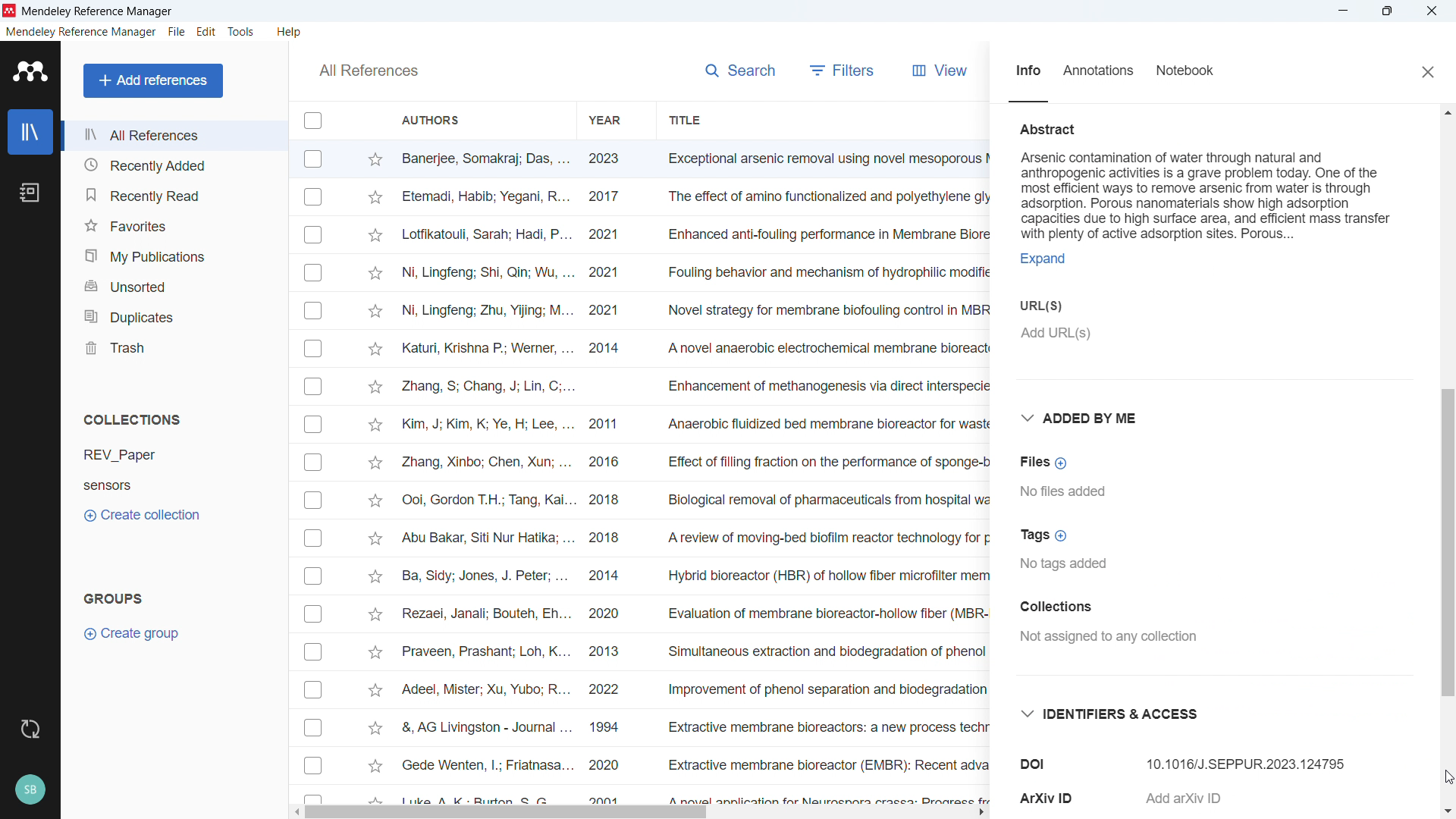 Image resolution: width=1456 pixels, height=819 pixels. What do you see at coordinates (610, 198) in the screenshot?
I see `2017` at bounding box center [610, 198].